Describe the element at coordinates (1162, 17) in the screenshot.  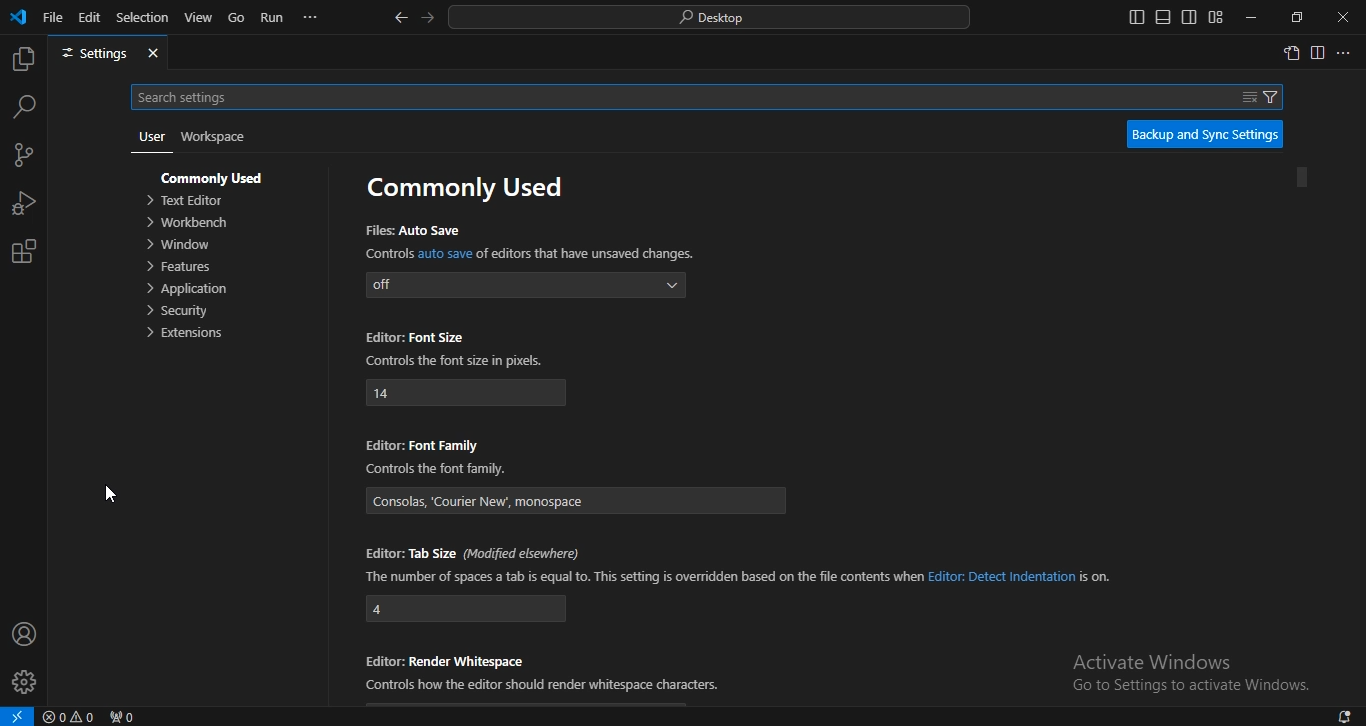
I see `toggle panel` at that location.